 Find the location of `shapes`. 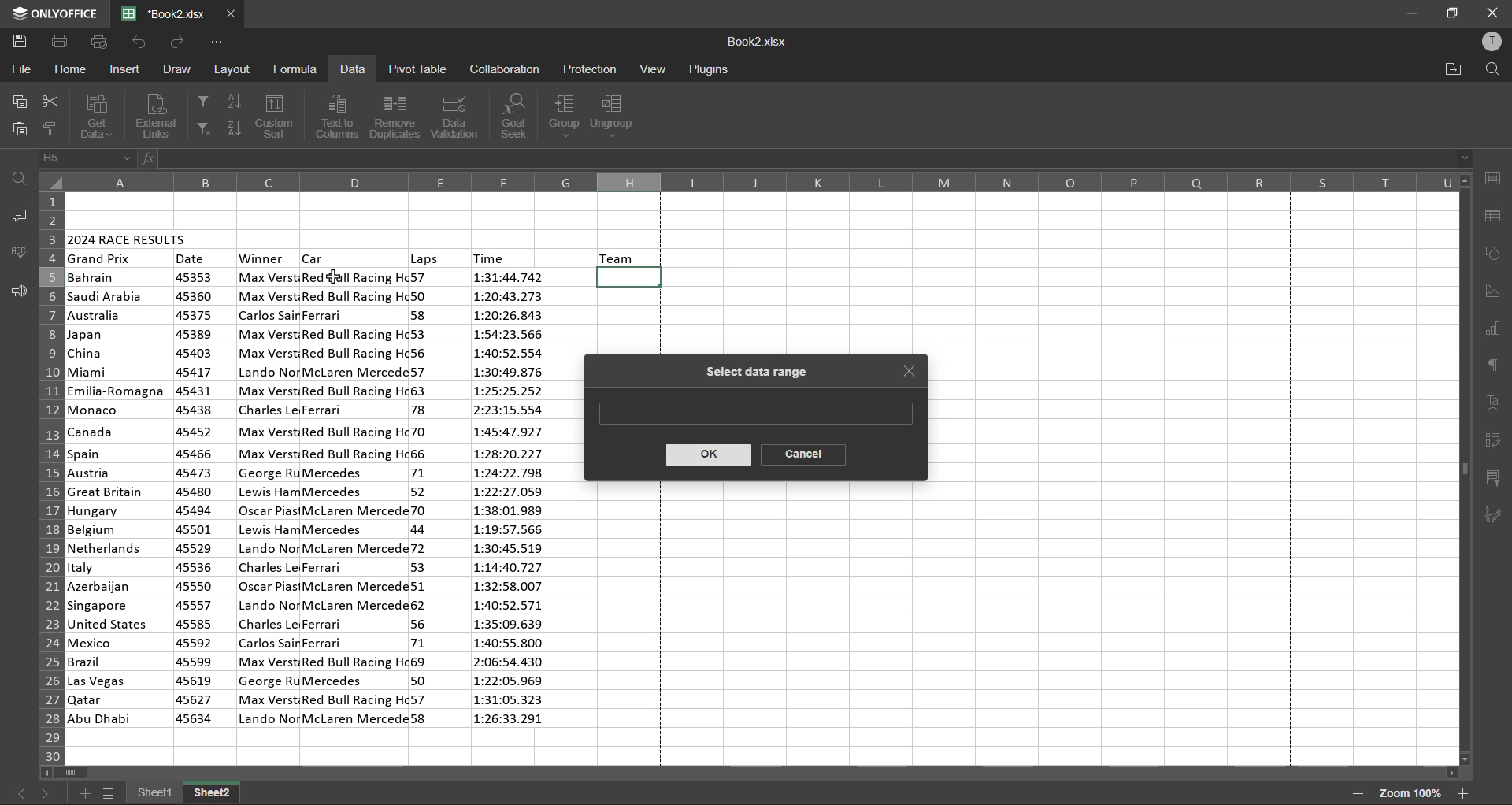

shapes is located at coordinates (1494, 254).